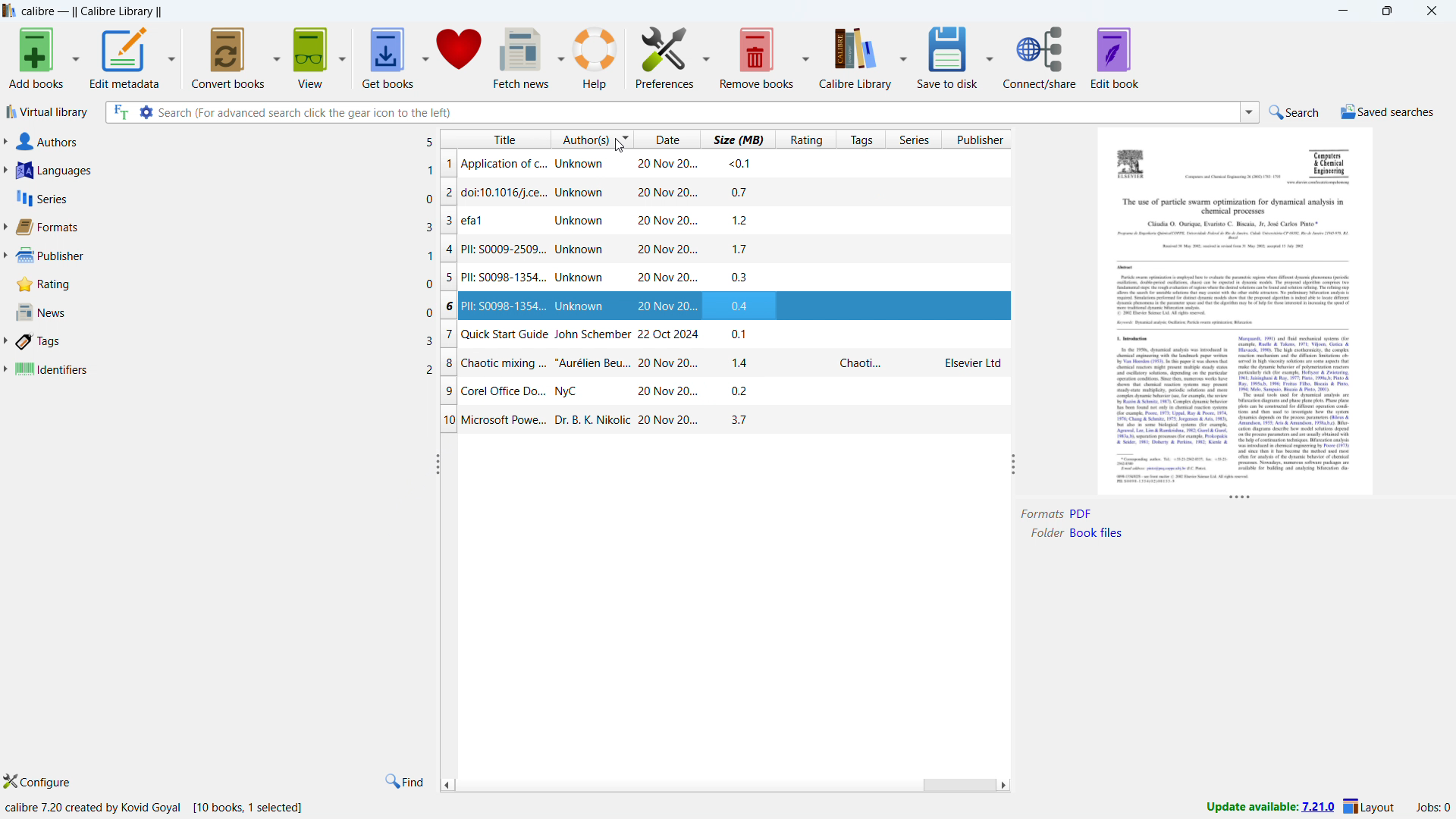 This screenshot has width=1456, height=819. Describe the element at coordinates (424, 58) in the screenshot. I see `get books options` at that location.